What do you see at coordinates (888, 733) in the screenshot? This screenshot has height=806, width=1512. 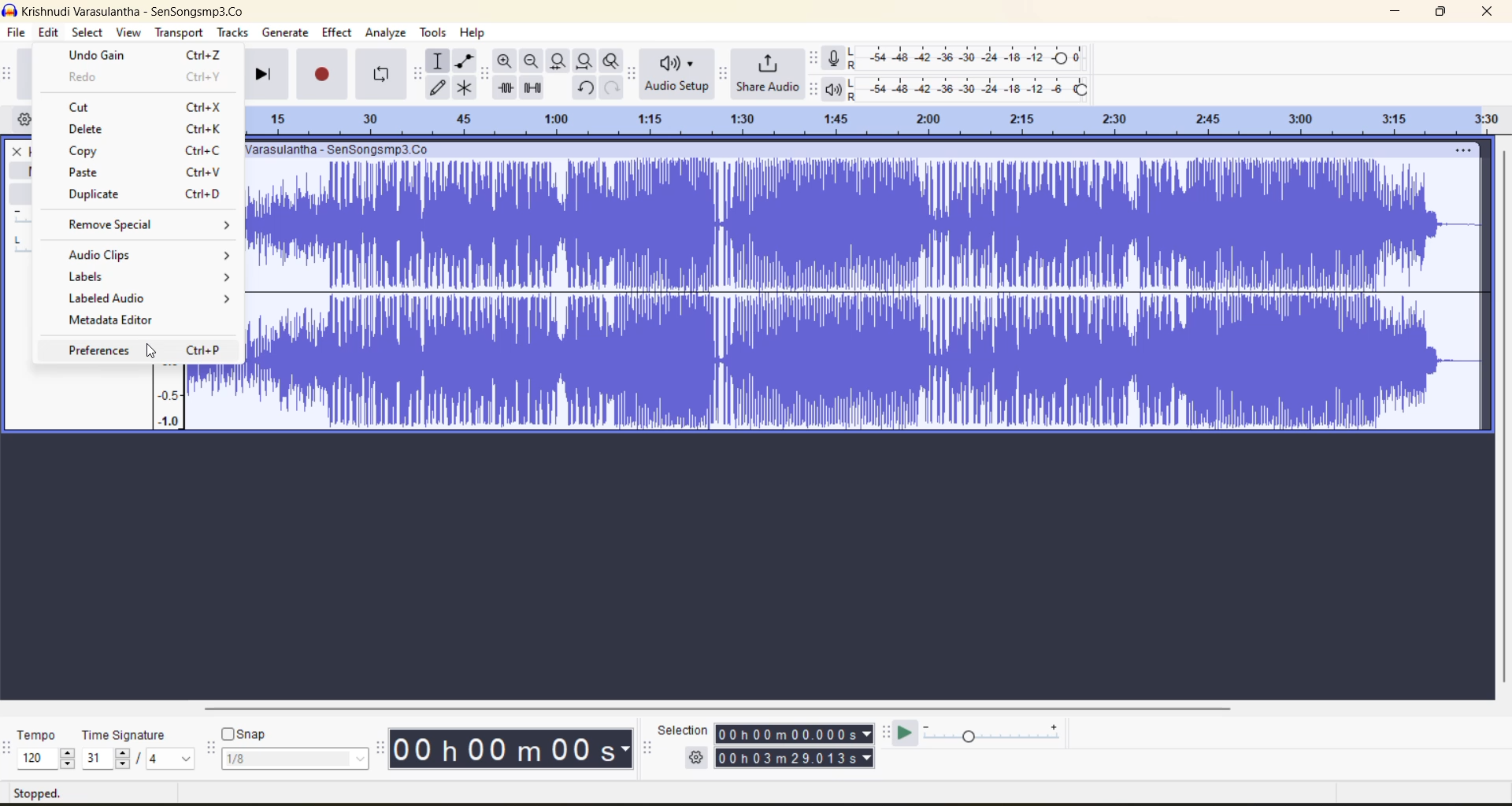 I see `play at speed toolbar` at bounding box center [888, 733].